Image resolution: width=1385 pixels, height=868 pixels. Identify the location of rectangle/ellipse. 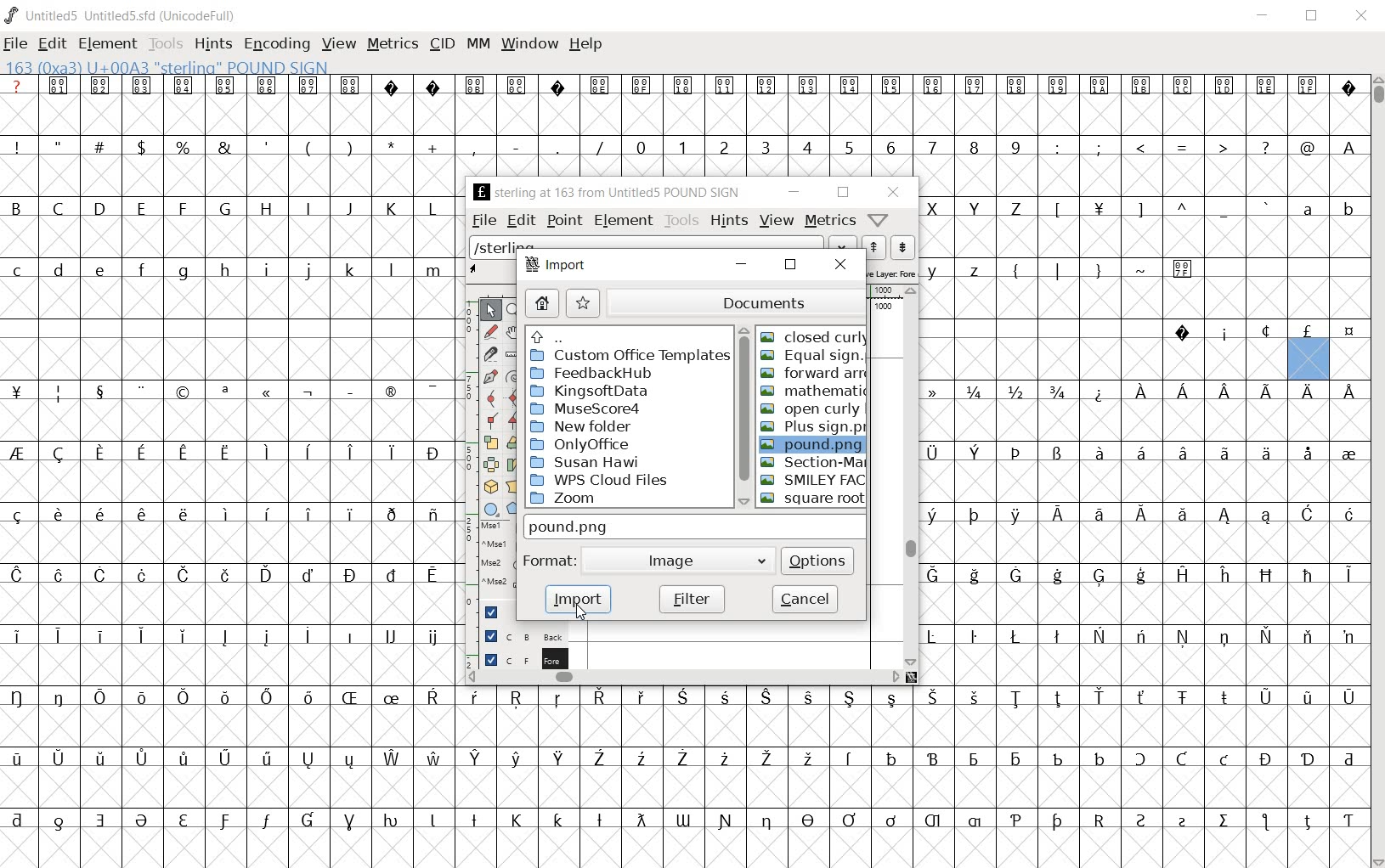
(493, 509).